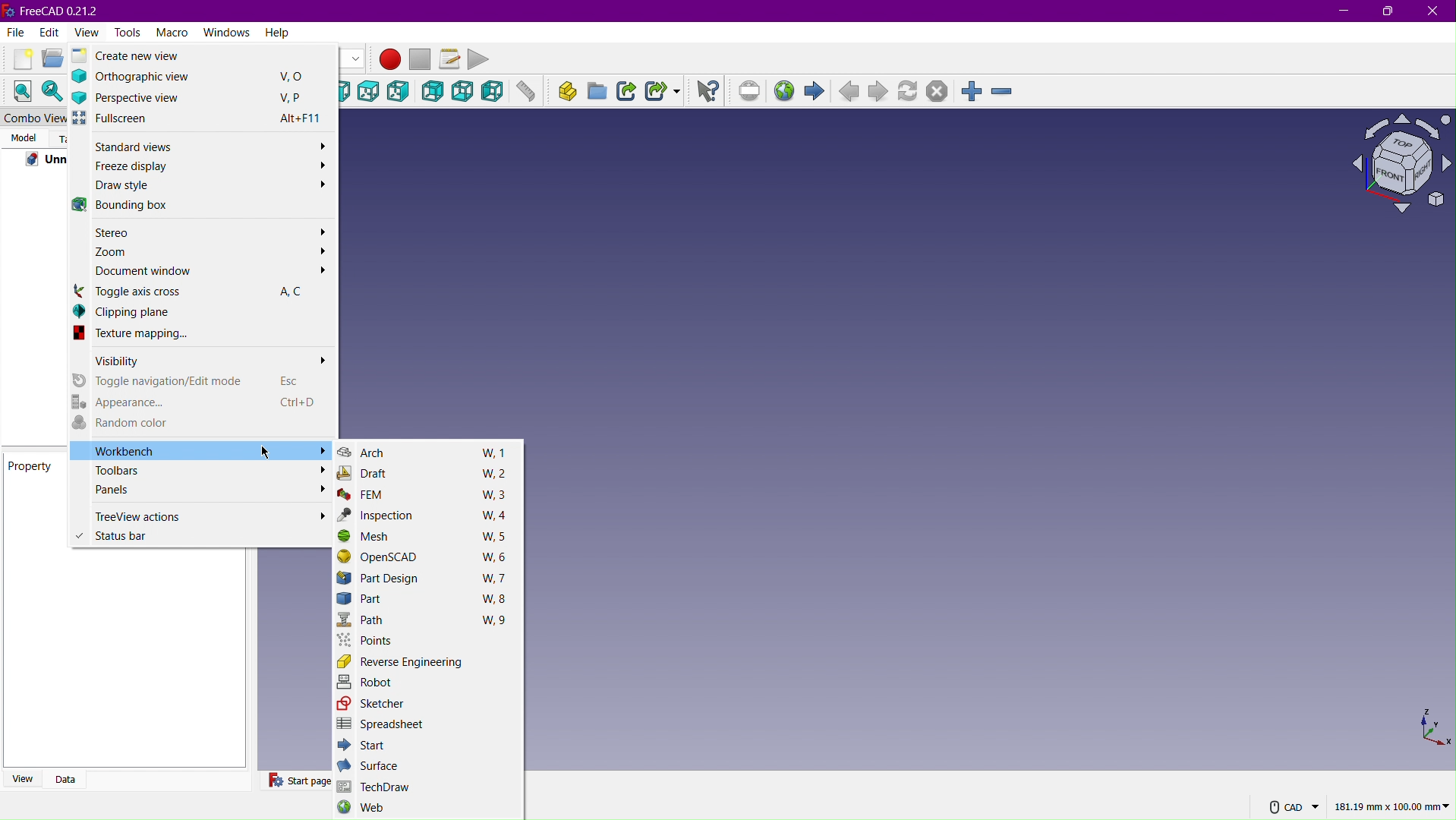 The width and height of the screenshot is (1456, 820). Describe the element at coordinates (141, 56) in the screenshot. I see `Create new view` at that location.